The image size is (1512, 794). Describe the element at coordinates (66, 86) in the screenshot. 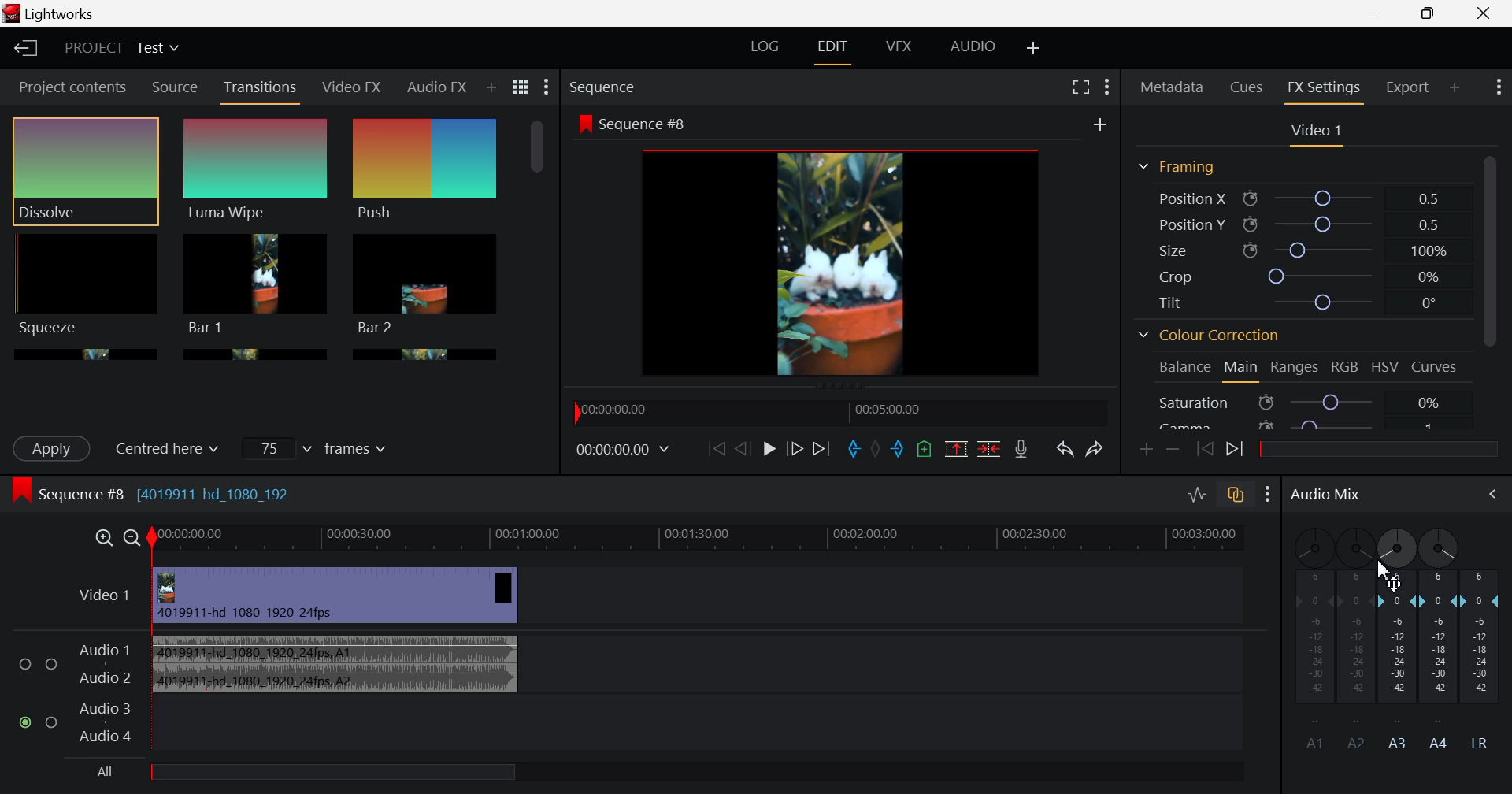

I see `Project contents` at that location.